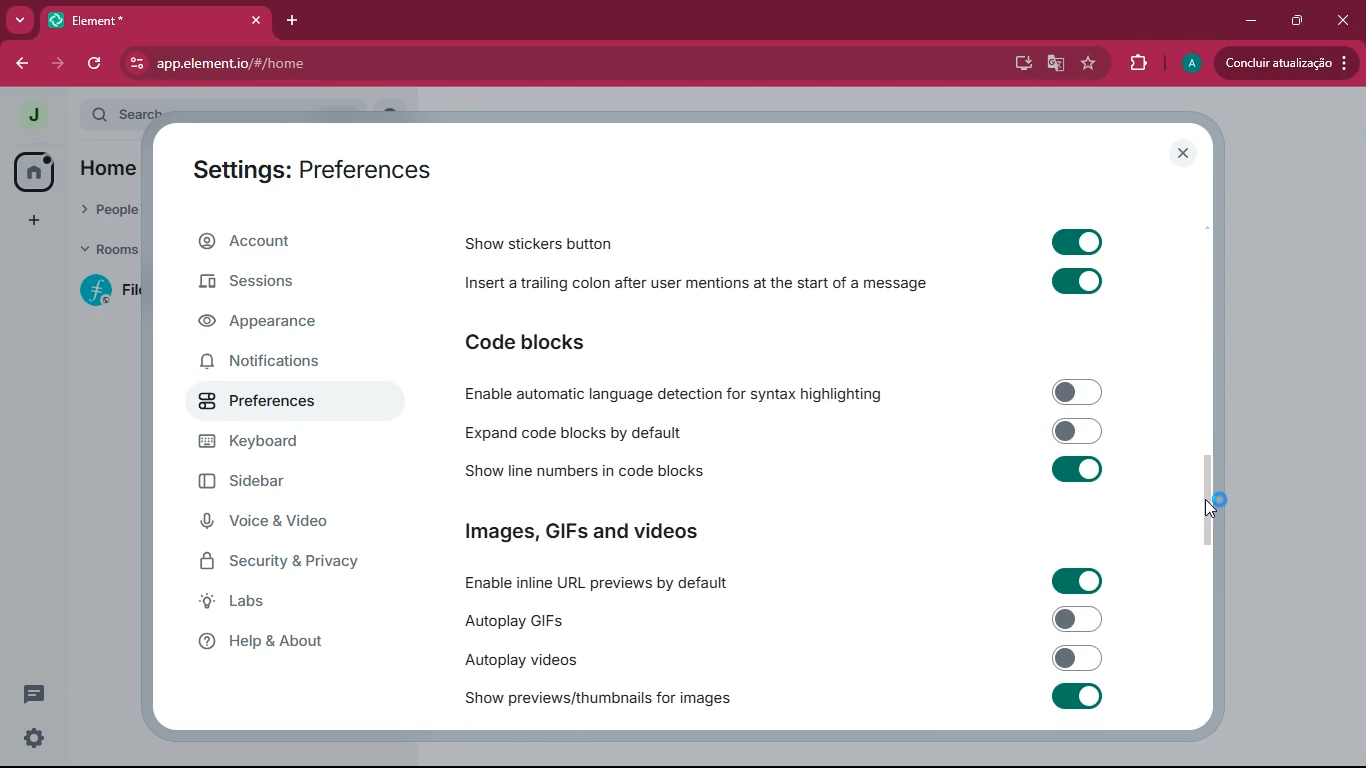 This screenshot has height=768, width=1366. What do you see at coordinates (283, 241) in the screenshot?
I see `Account` at bounding box center [283, 241].